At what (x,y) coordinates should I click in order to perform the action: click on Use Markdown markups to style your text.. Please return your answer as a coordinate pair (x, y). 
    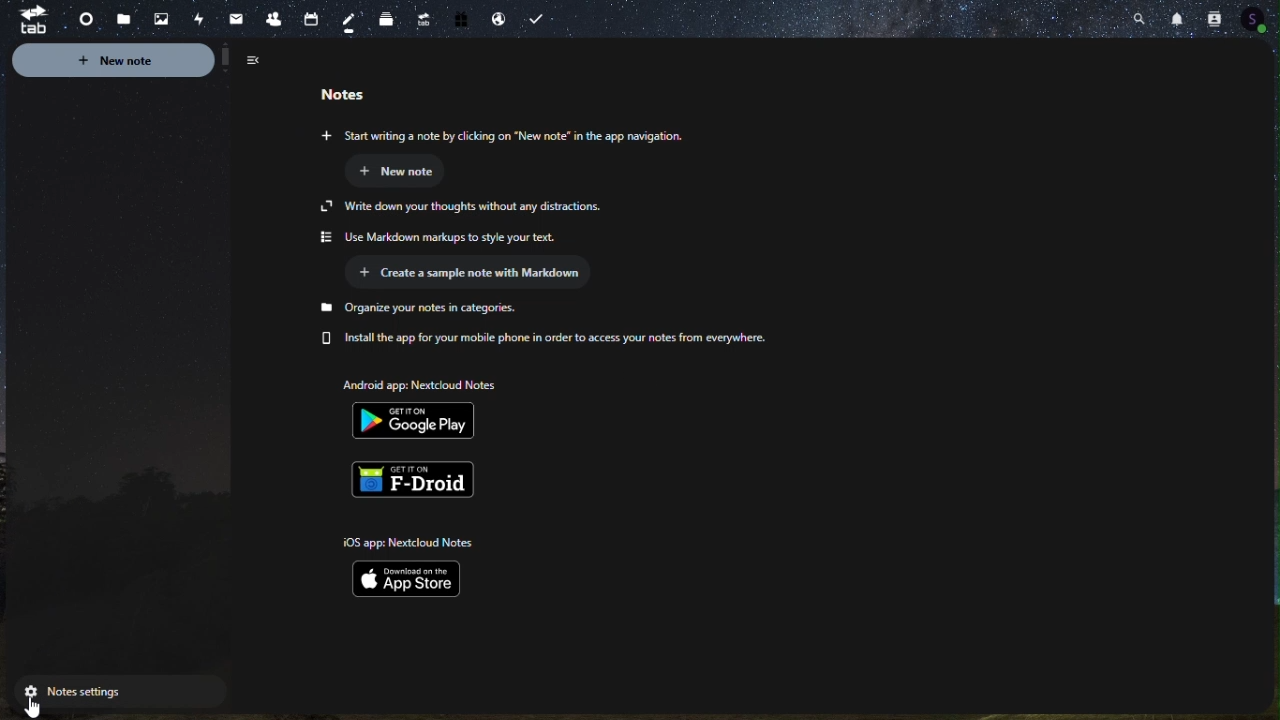
    Looking at the image, I should click on (447, 237).